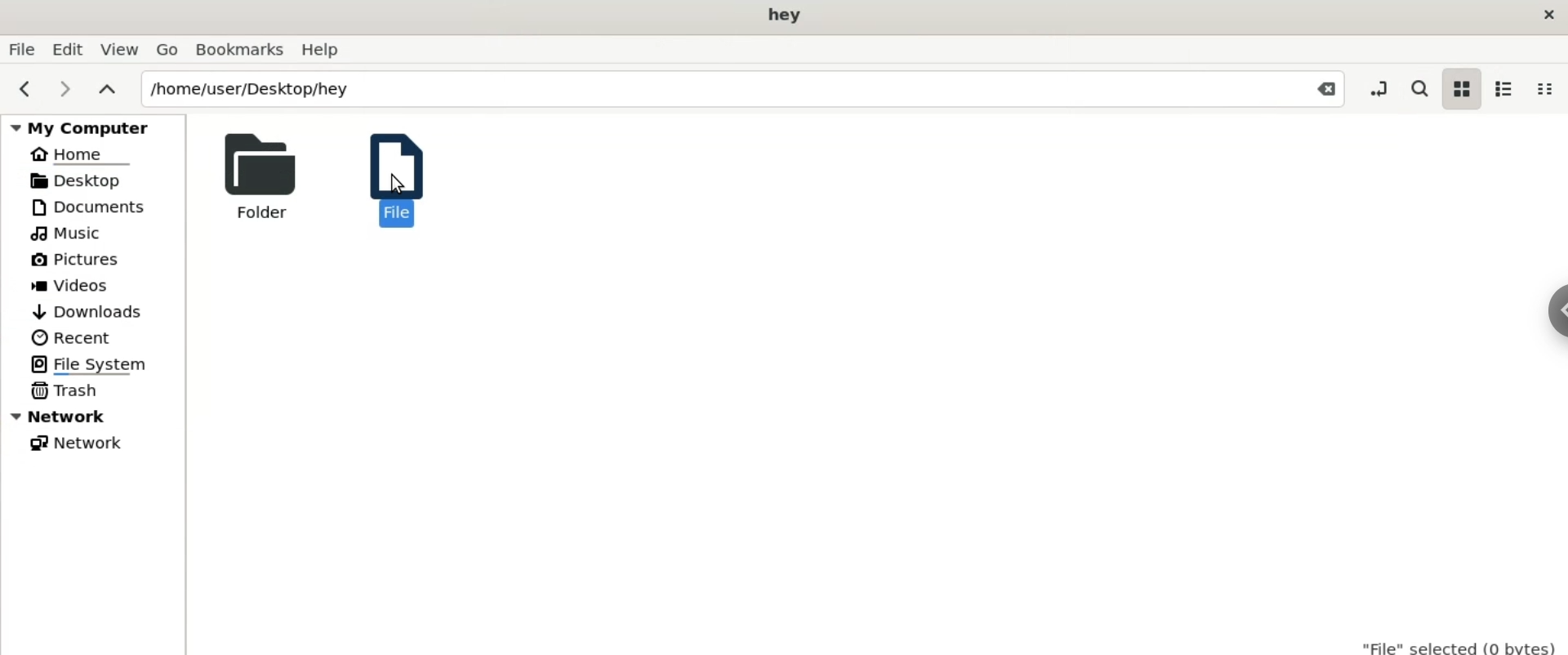  What do you see at coordinates (1383, 87) in the screenshot?
I see `toggle location entry` at bounding box center [1383, 87].